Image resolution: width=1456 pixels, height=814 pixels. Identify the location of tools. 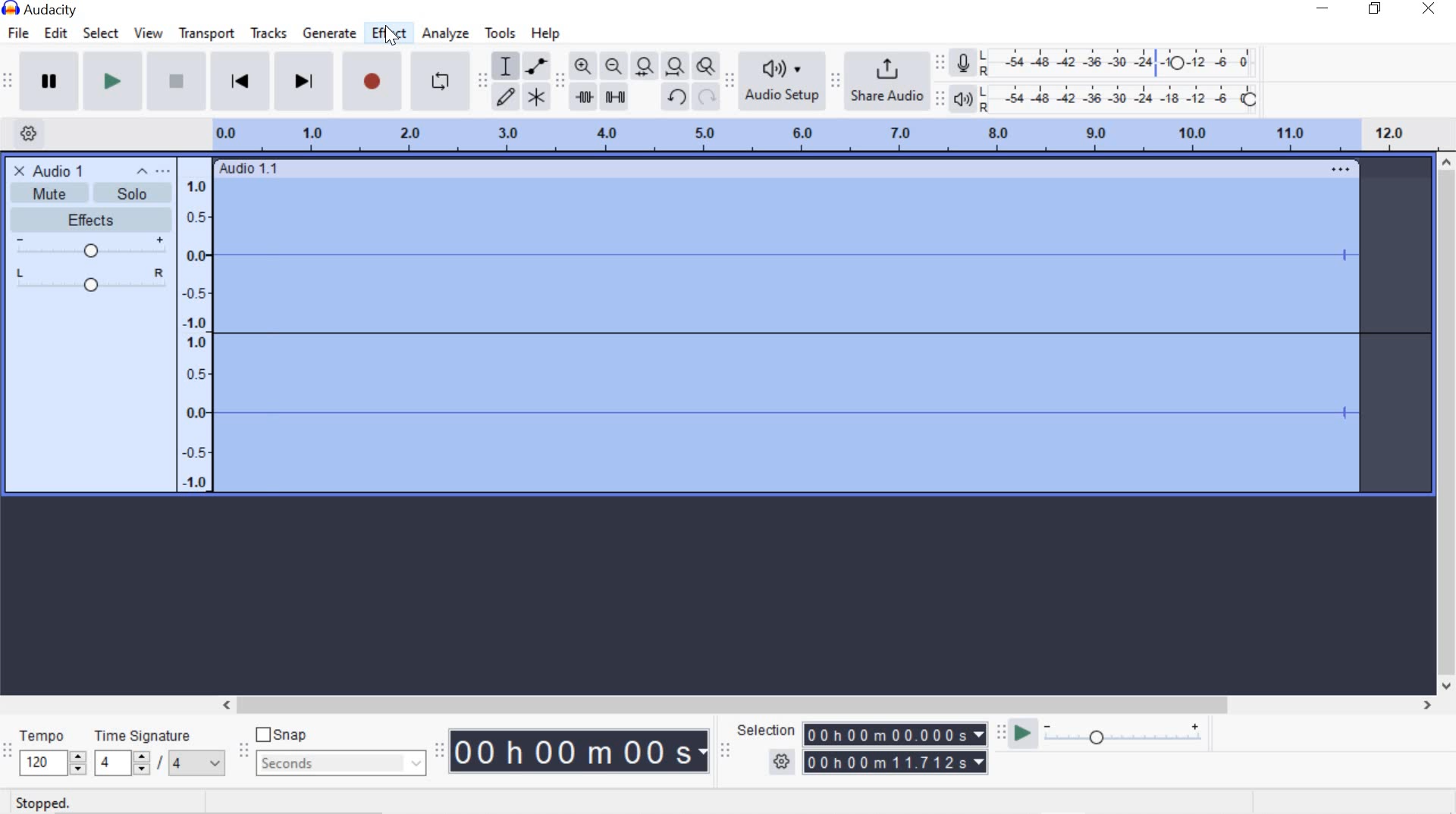
(500, 33).